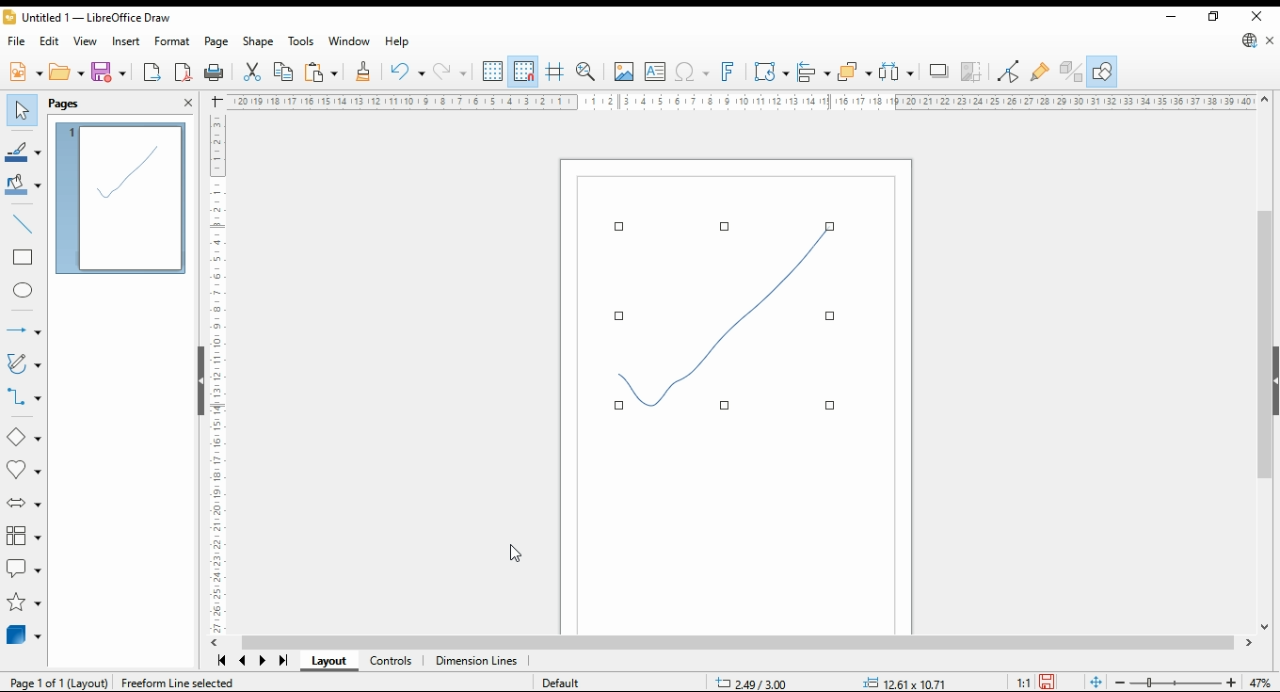  What do you see at coordinates (513, 557) in the screenshot?
I see `mouse pointer` at bounding box center [513, 557].